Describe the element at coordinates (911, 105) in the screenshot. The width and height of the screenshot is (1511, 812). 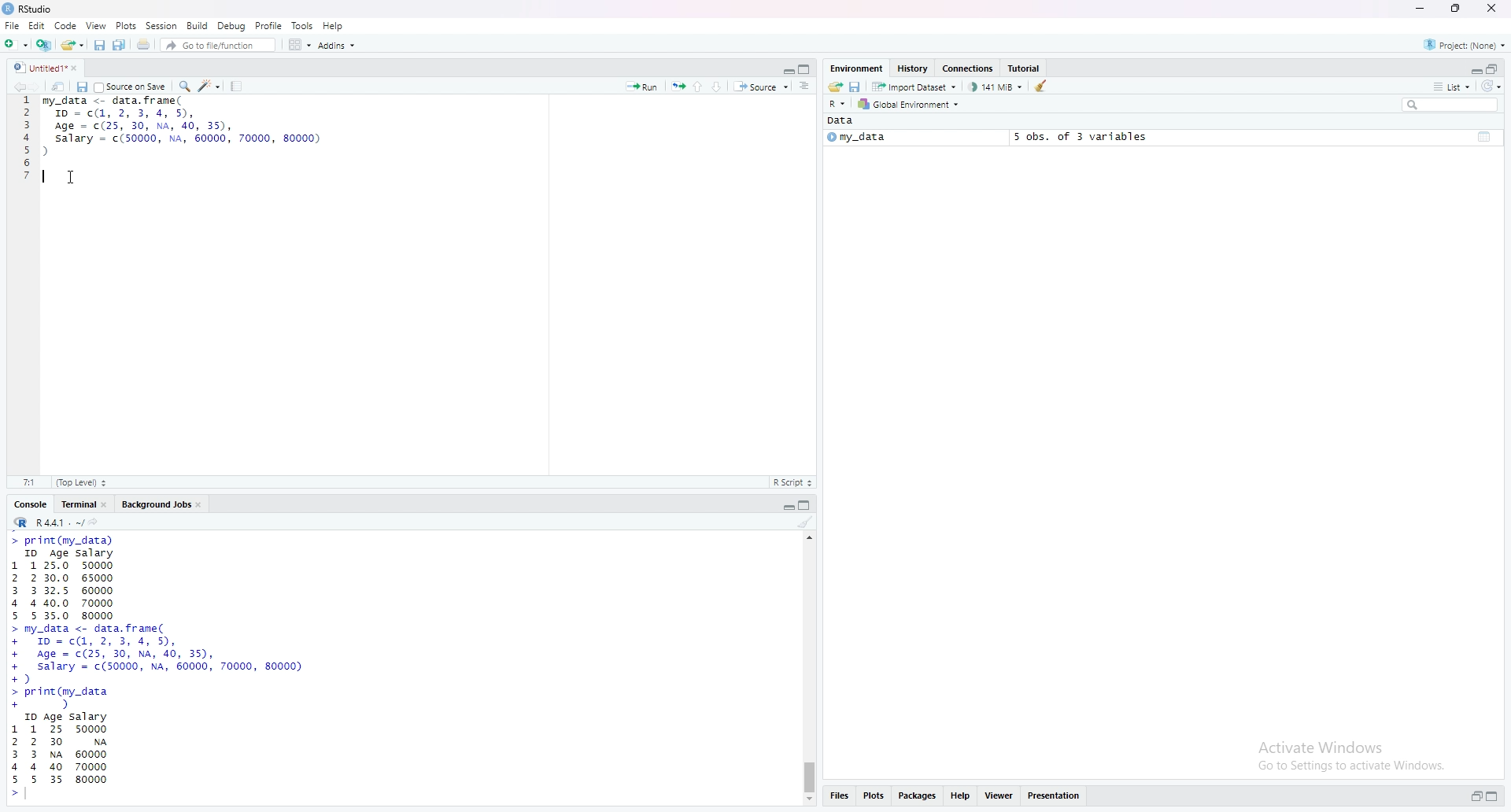
I see `global environment` at that location.